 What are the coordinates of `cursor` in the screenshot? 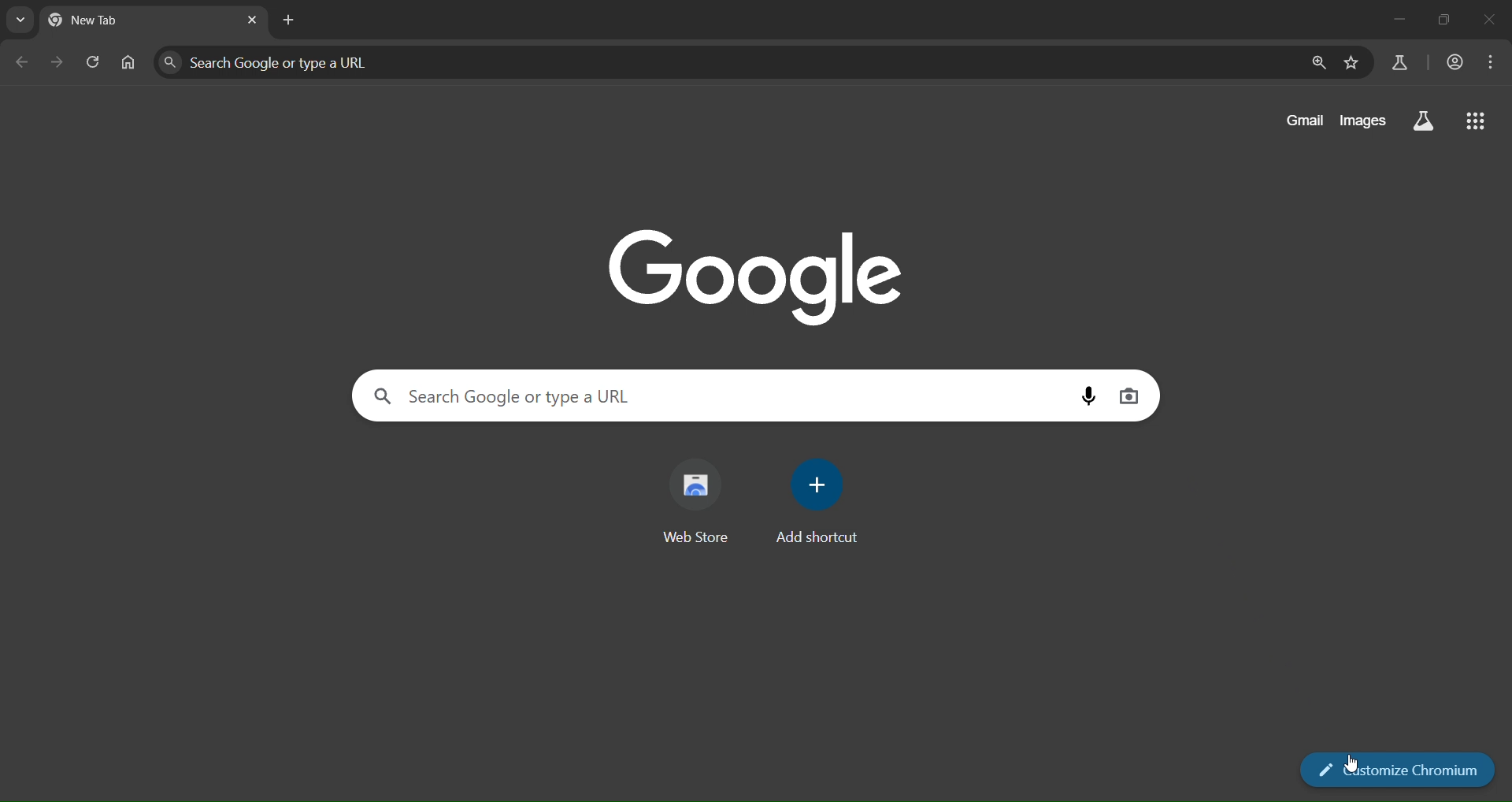 It's located at (1354, 762).